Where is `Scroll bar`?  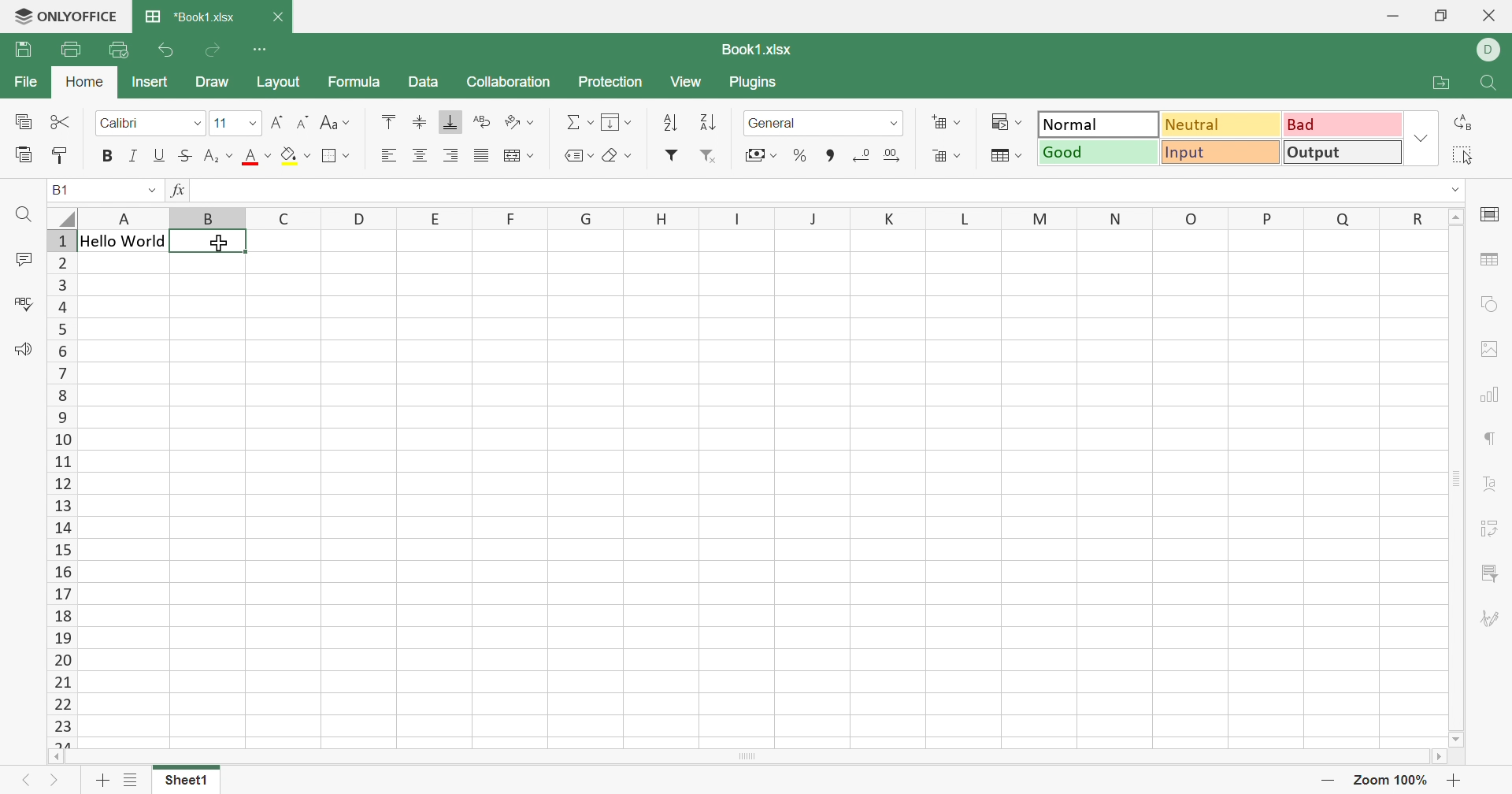 Scroll bar is located at coordinates (744, 757).